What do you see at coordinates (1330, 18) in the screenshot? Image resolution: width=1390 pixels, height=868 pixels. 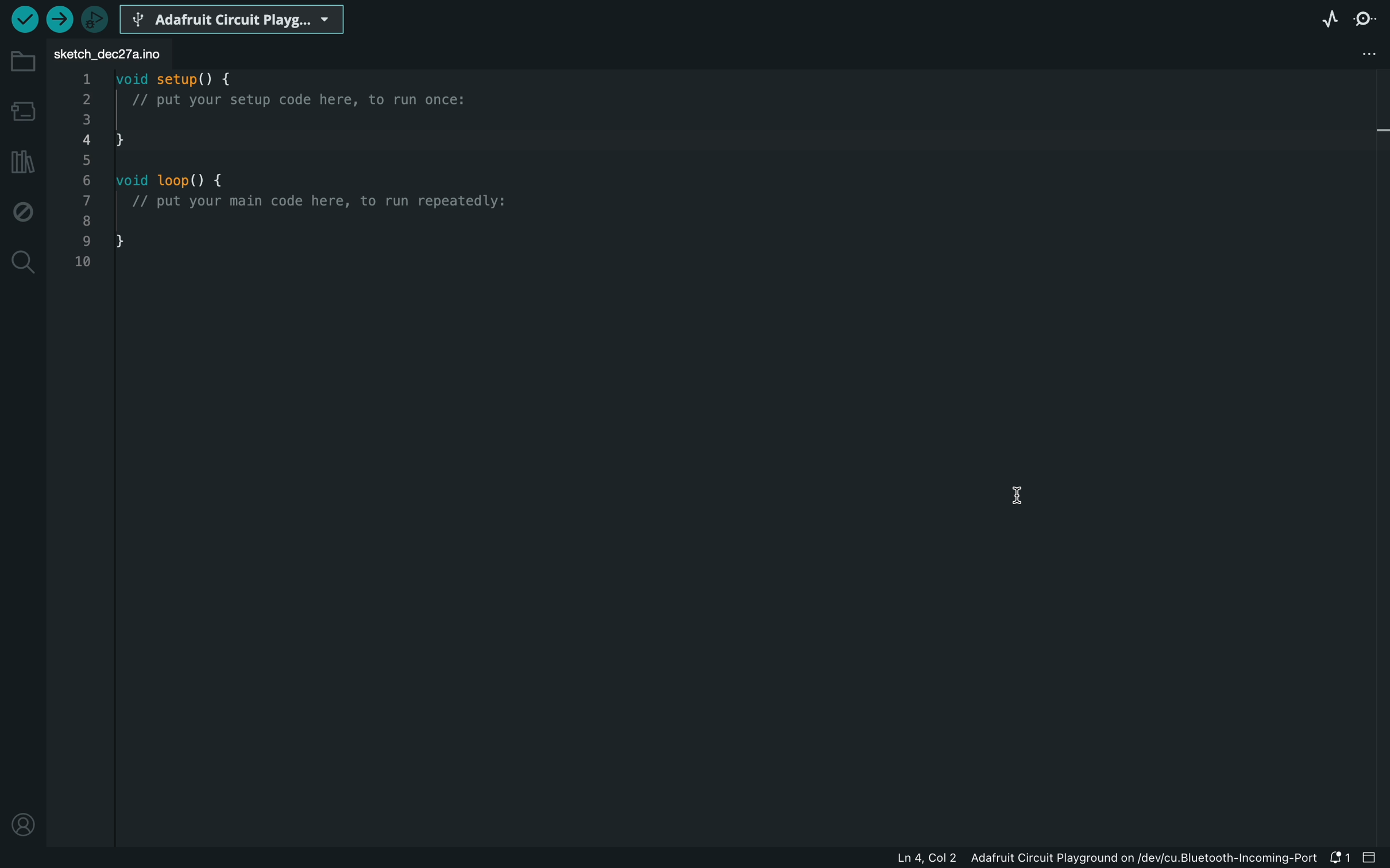 I see `serial plotter` at bounding box center [1330, 18].